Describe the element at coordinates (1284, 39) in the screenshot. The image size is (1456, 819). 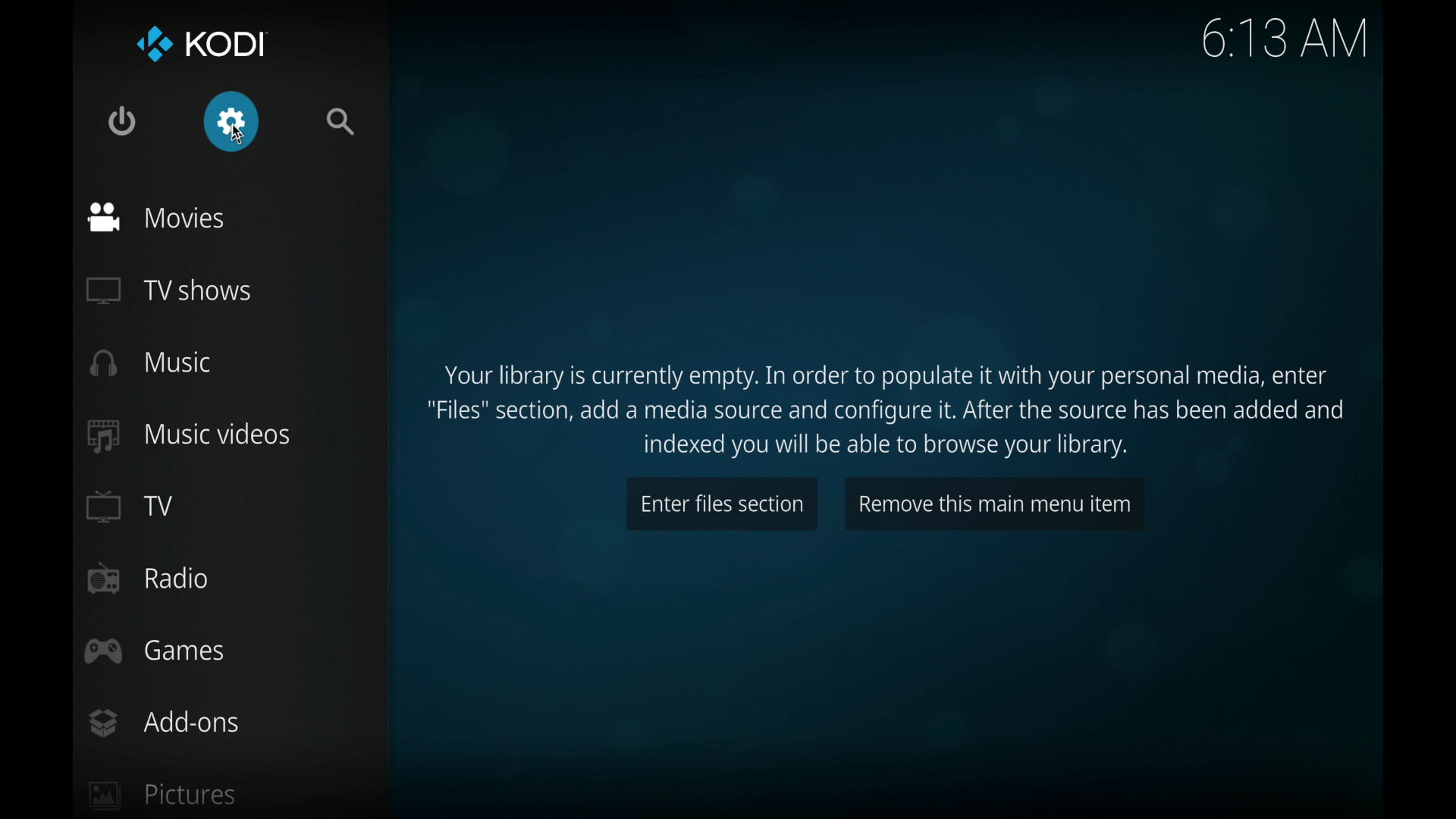
I see `time` at that location.